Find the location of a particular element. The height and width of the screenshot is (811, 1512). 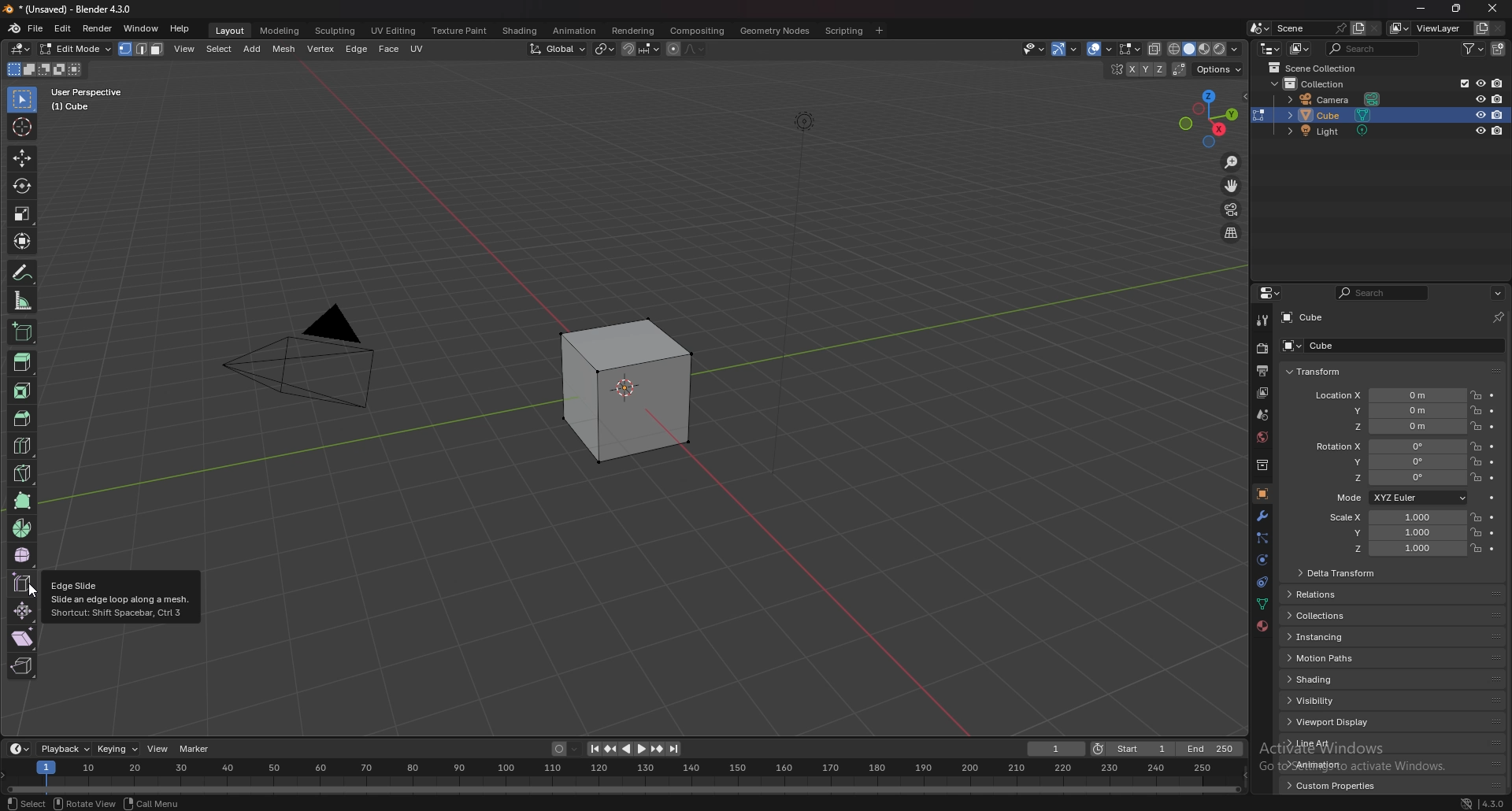

animate property is located at coordinates (1492, 533).